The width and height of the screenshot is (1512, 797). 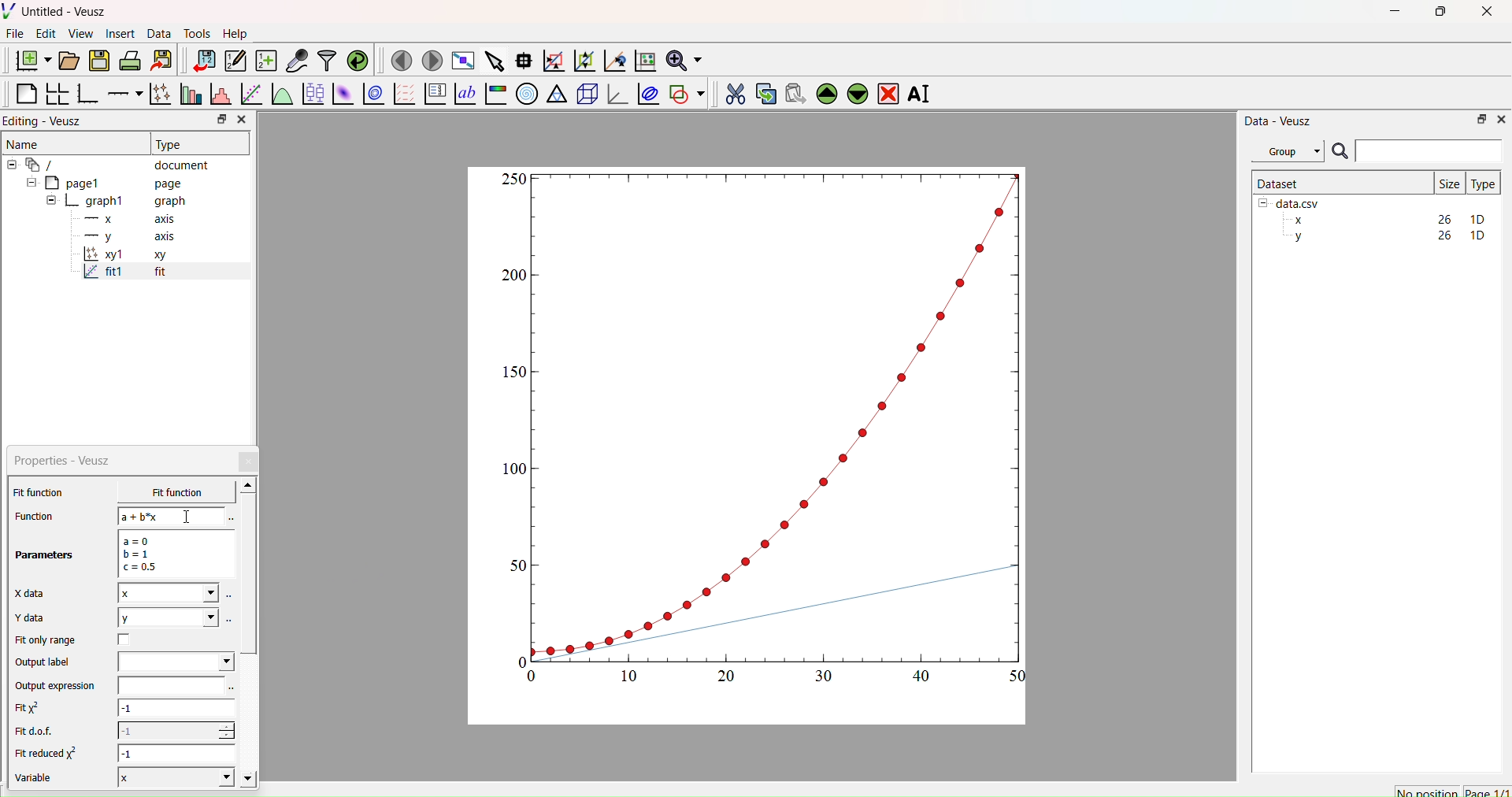 I want to click on Restore down, so click(x=218, y=120).